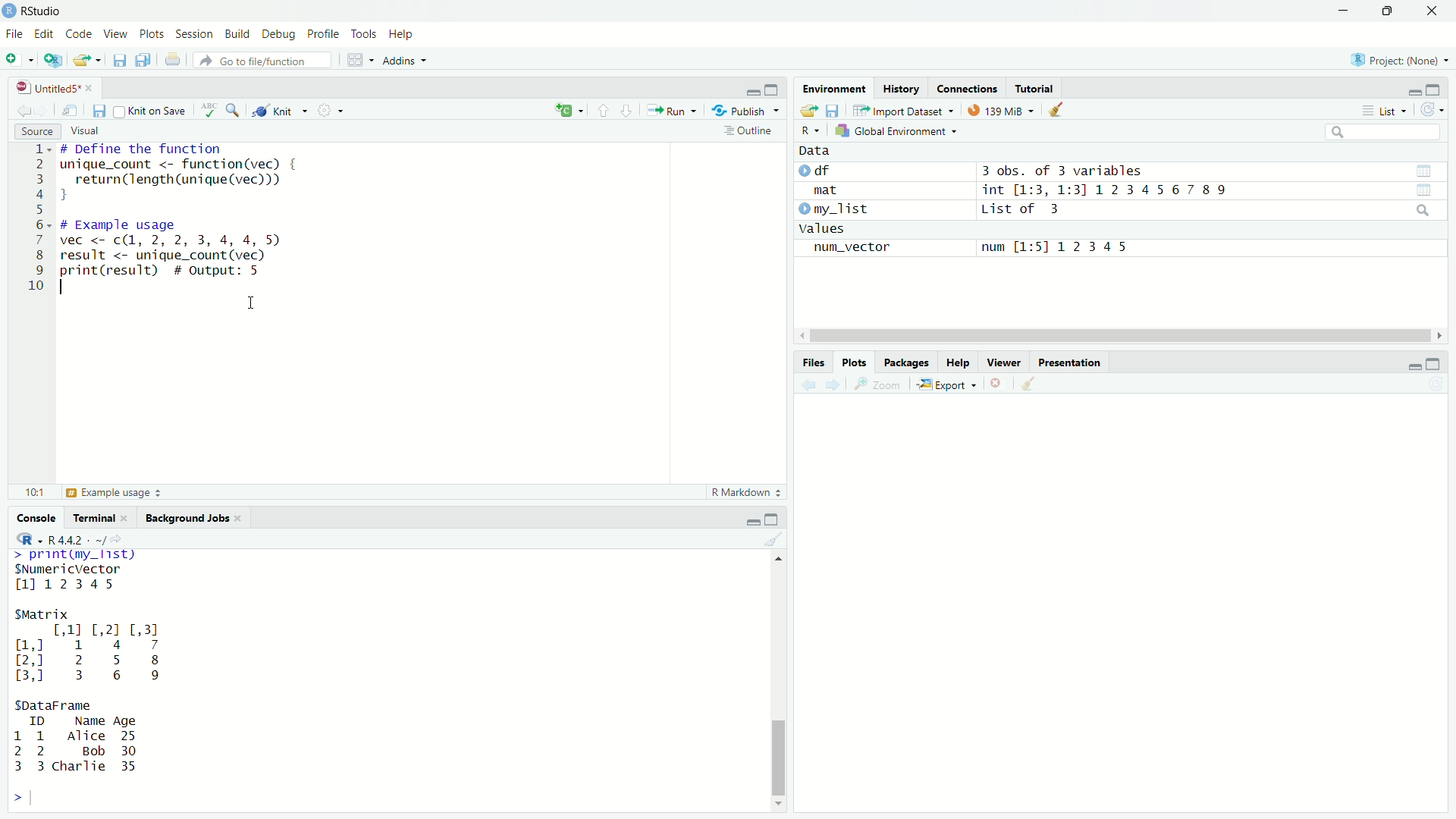  What do you see at coordinates (237, 111) in the screenshot?
I see `find and replace` at bounding box center [237, 111].